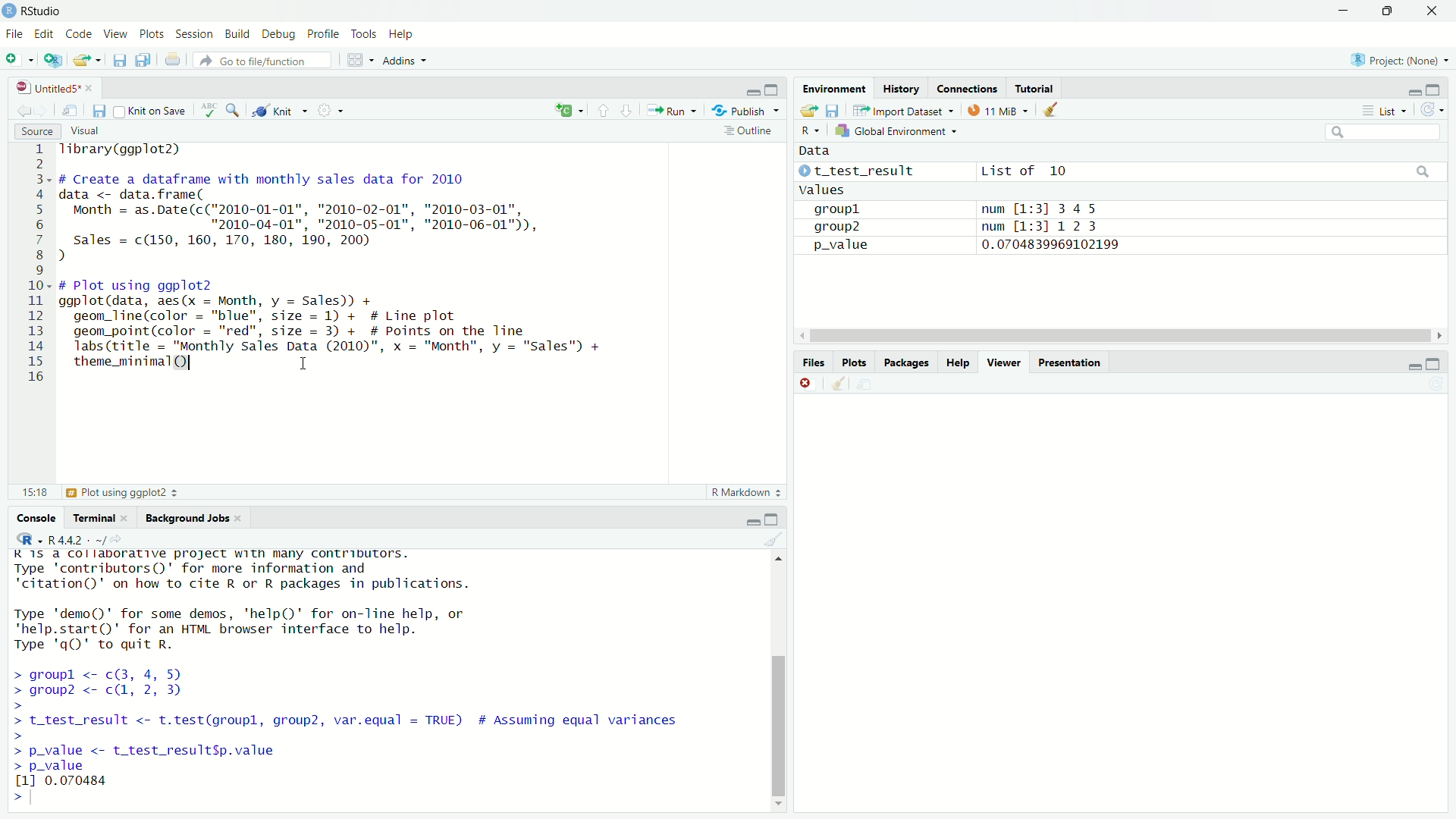  I want to click on save, so click(99, 111).